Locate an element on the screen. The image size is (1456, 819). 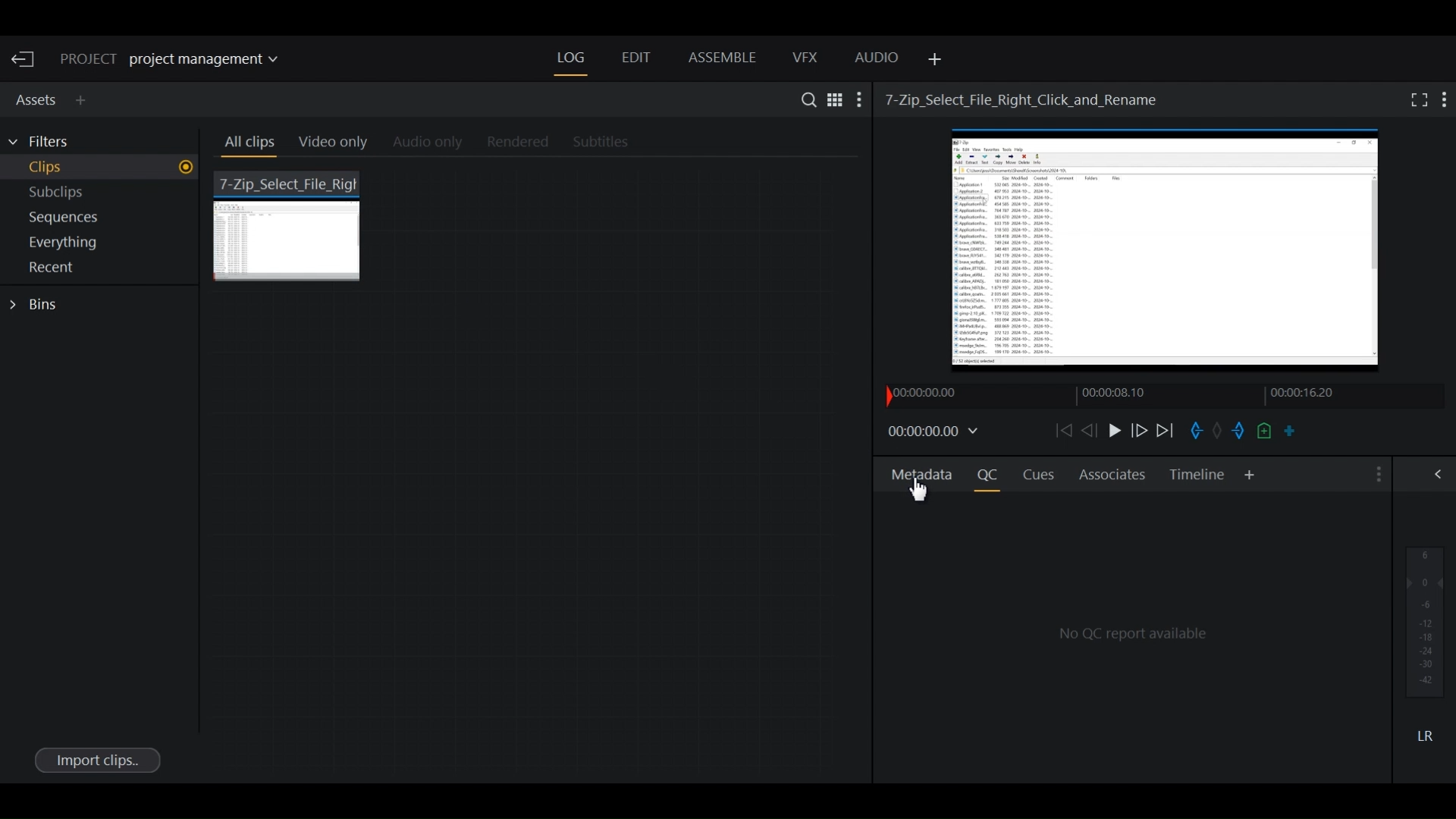
Show/Hide Full Audio mix is located at coordinates (1441, 473).